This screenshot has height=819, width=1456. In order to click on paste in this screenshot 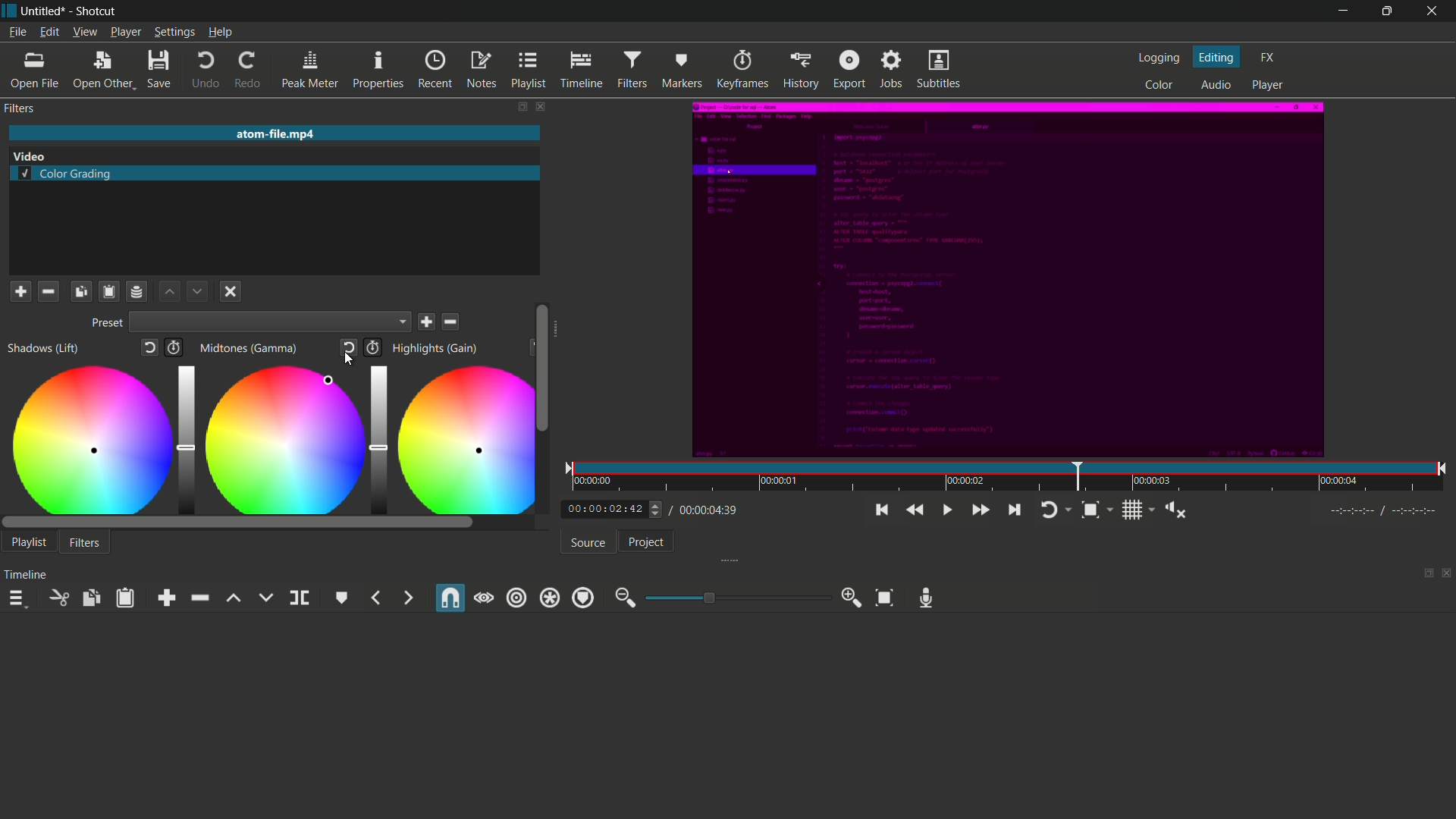, I will do `click(128, 598)`.